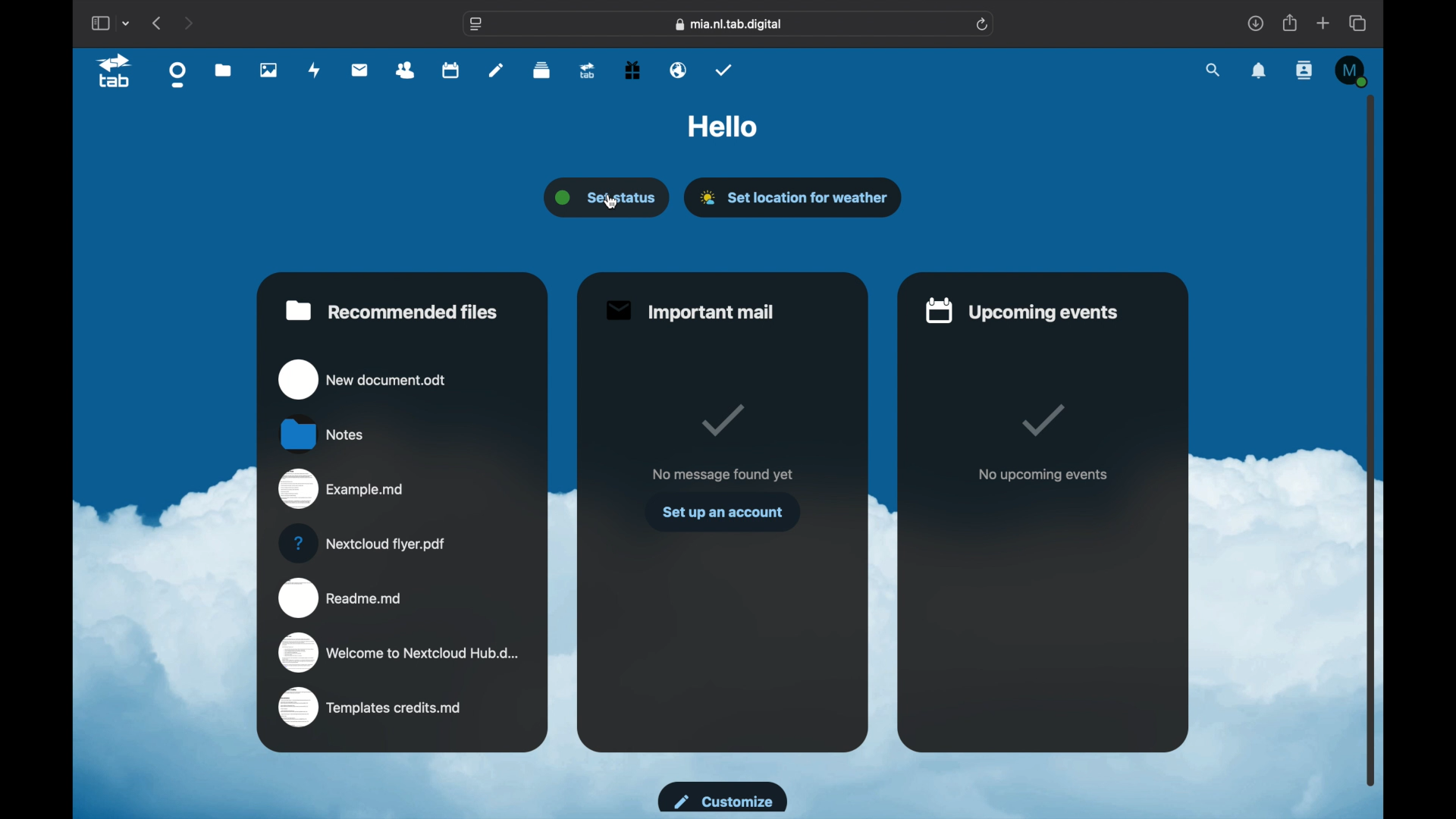 This screenshot has height=819, width=1456. Describe the element at coordinates (725, 420) in the screenshot. I see `tick mark` at that location.